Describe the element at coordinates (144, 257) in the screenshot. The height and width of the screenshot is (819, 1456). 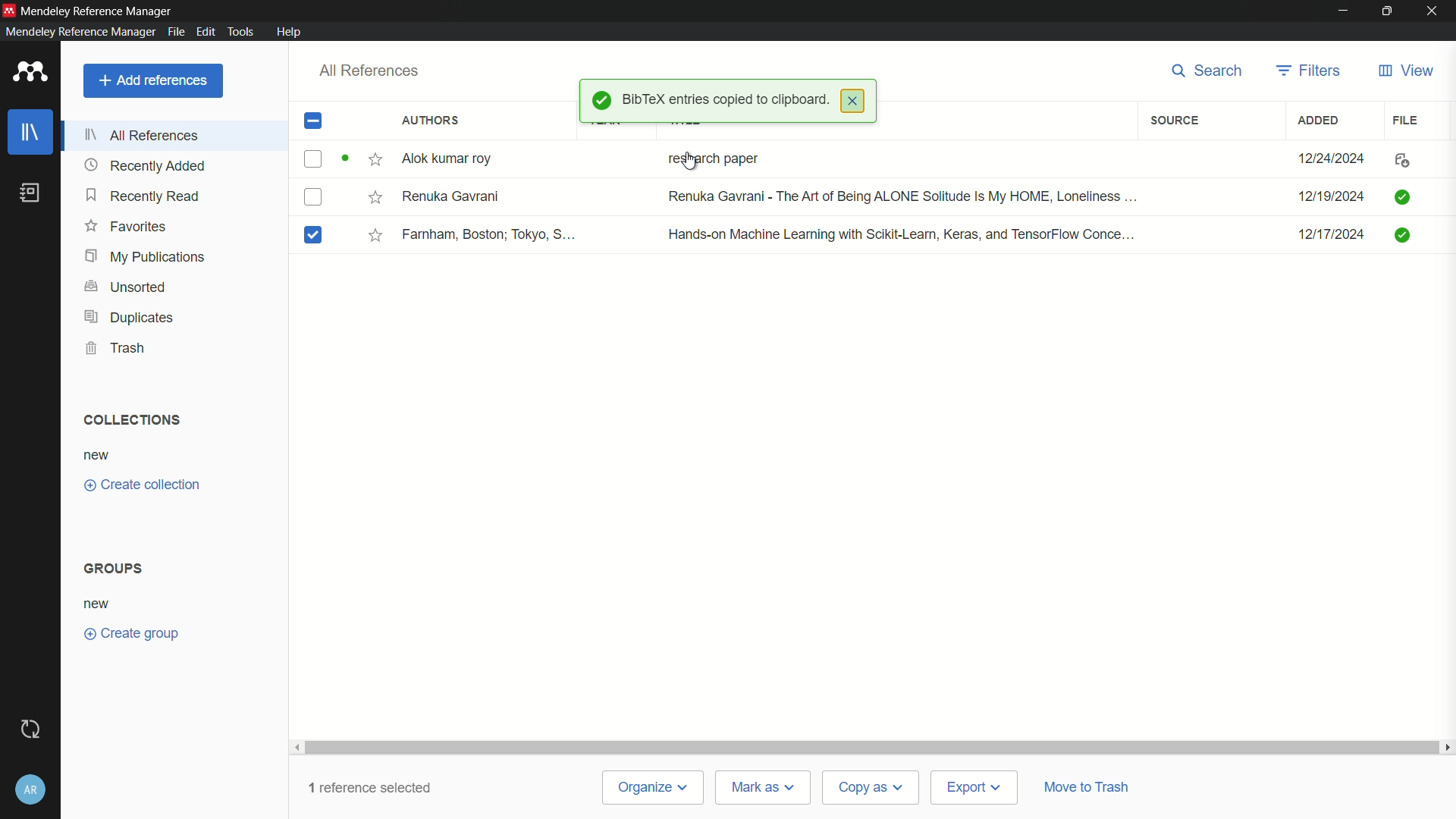
I see `my publications` at that location.